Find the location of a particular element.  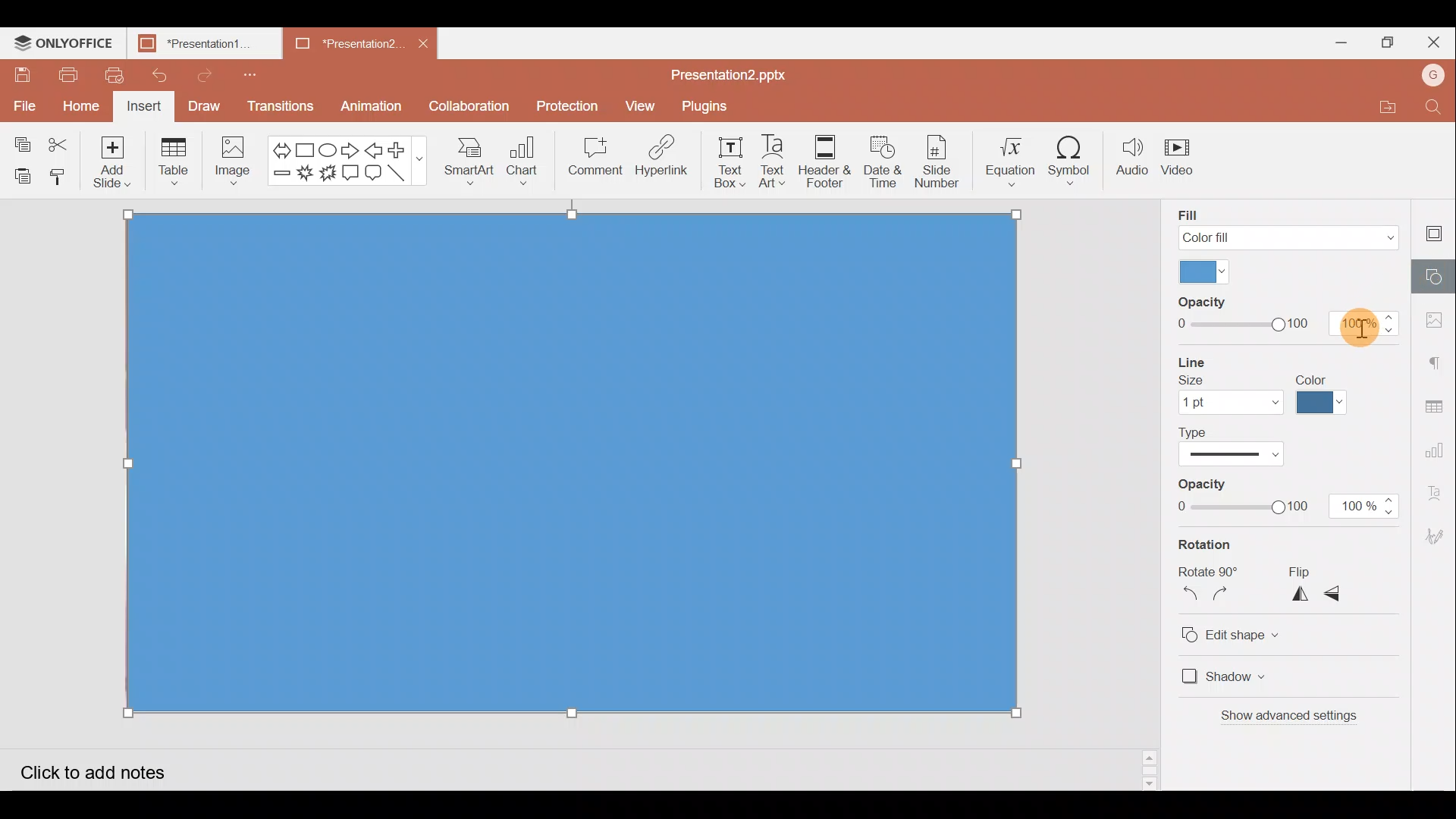

Customize quick access toolbar is located at coordinates (246, 72).